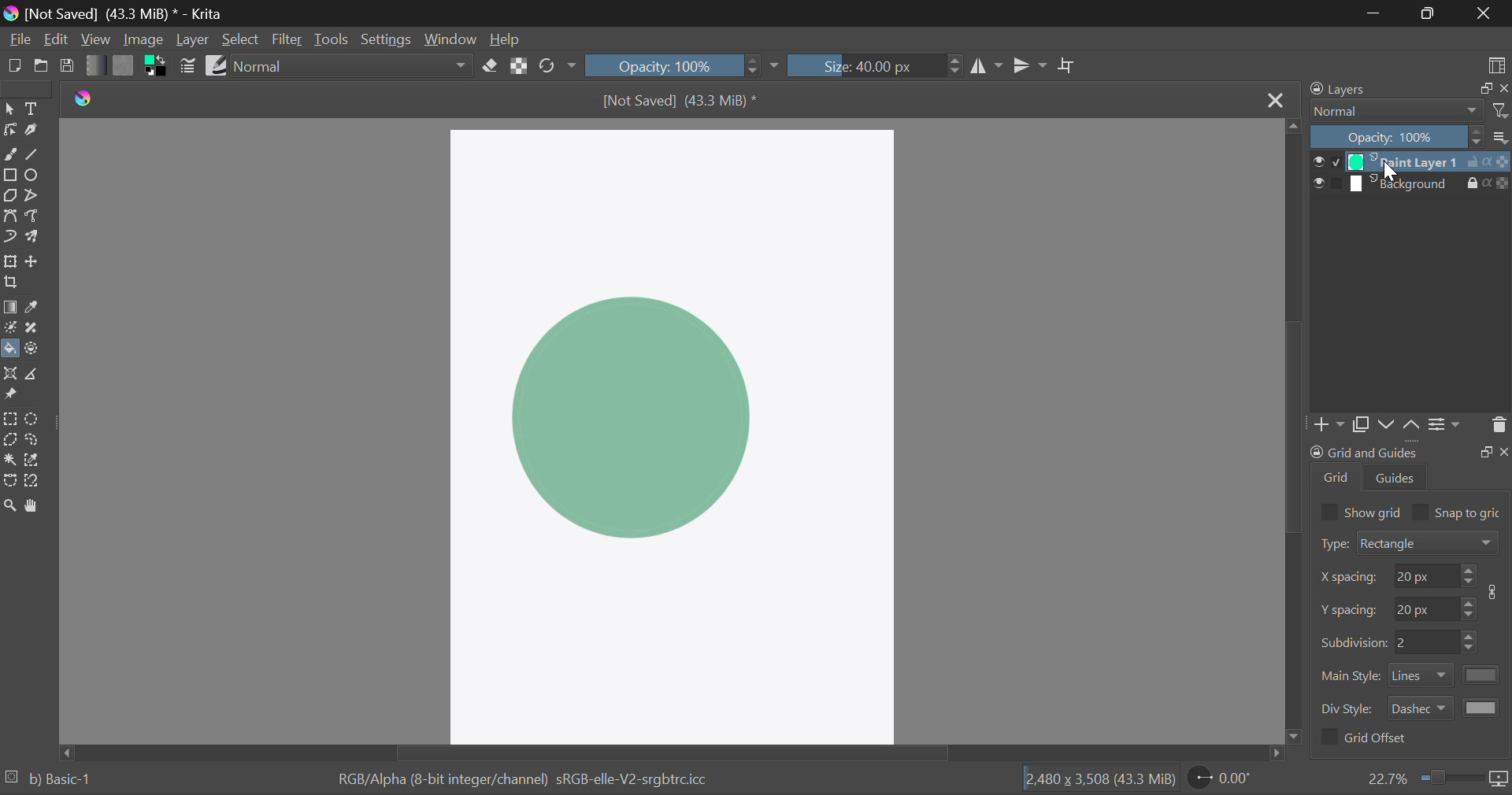 The height and width of the screenshot is (795, 1512). Describe the element at coordinates (217, 65) in the screenshot. I see `Brush Presets` at that location.